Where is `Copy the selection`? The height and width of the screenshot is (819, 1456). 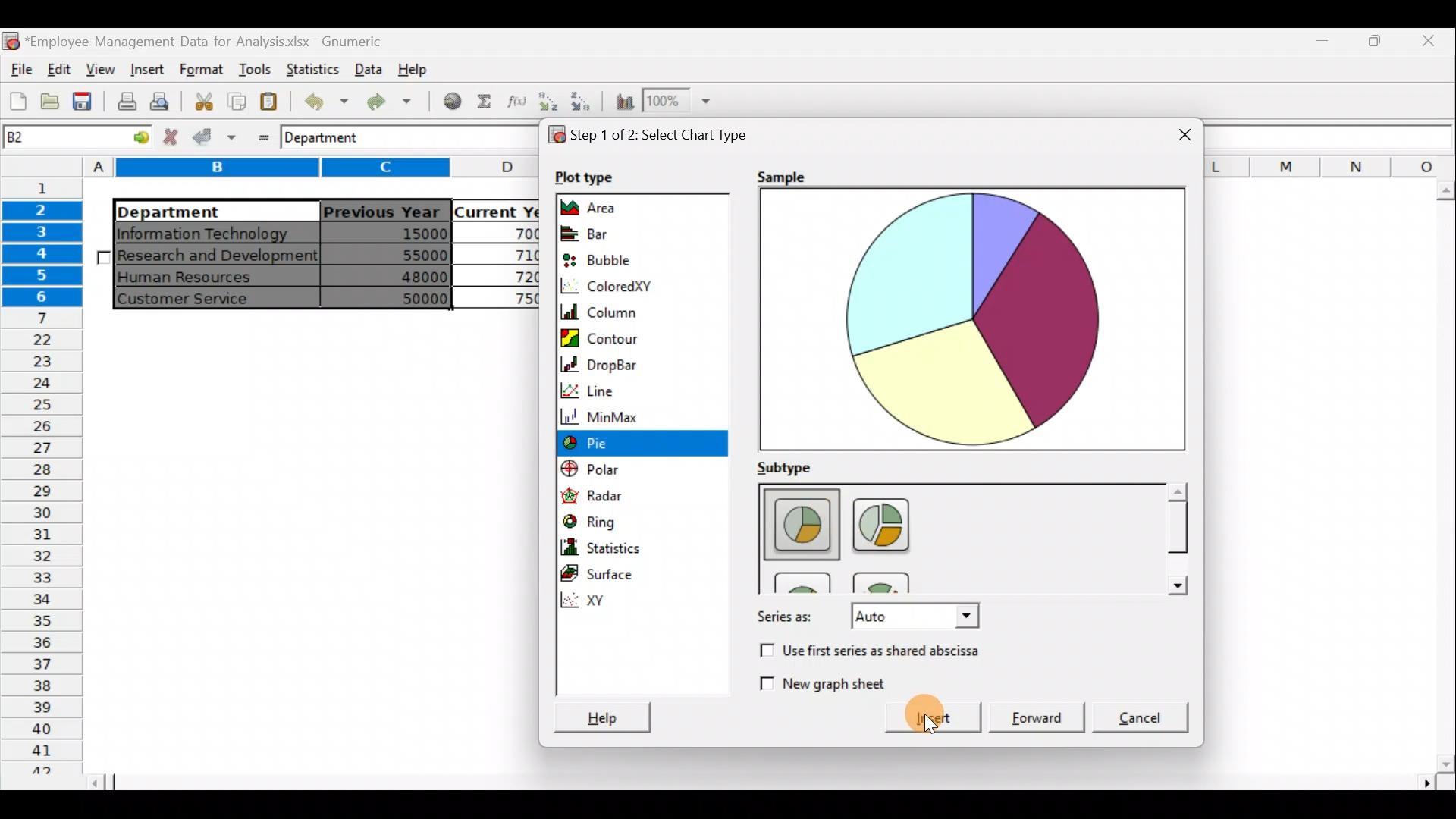
Copy the selection is located at coordinates (236, 102).